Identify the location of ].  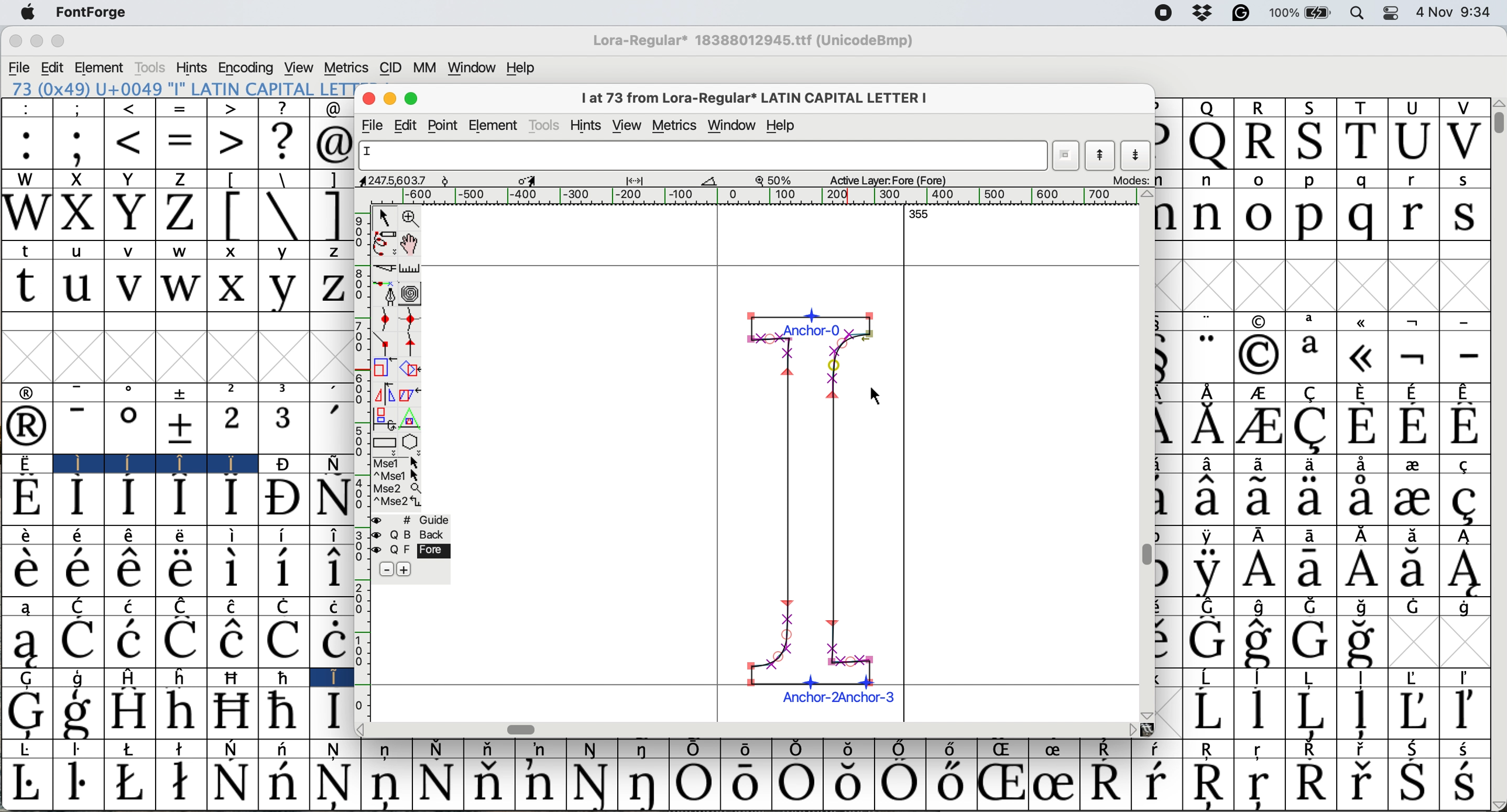
(333, 180).